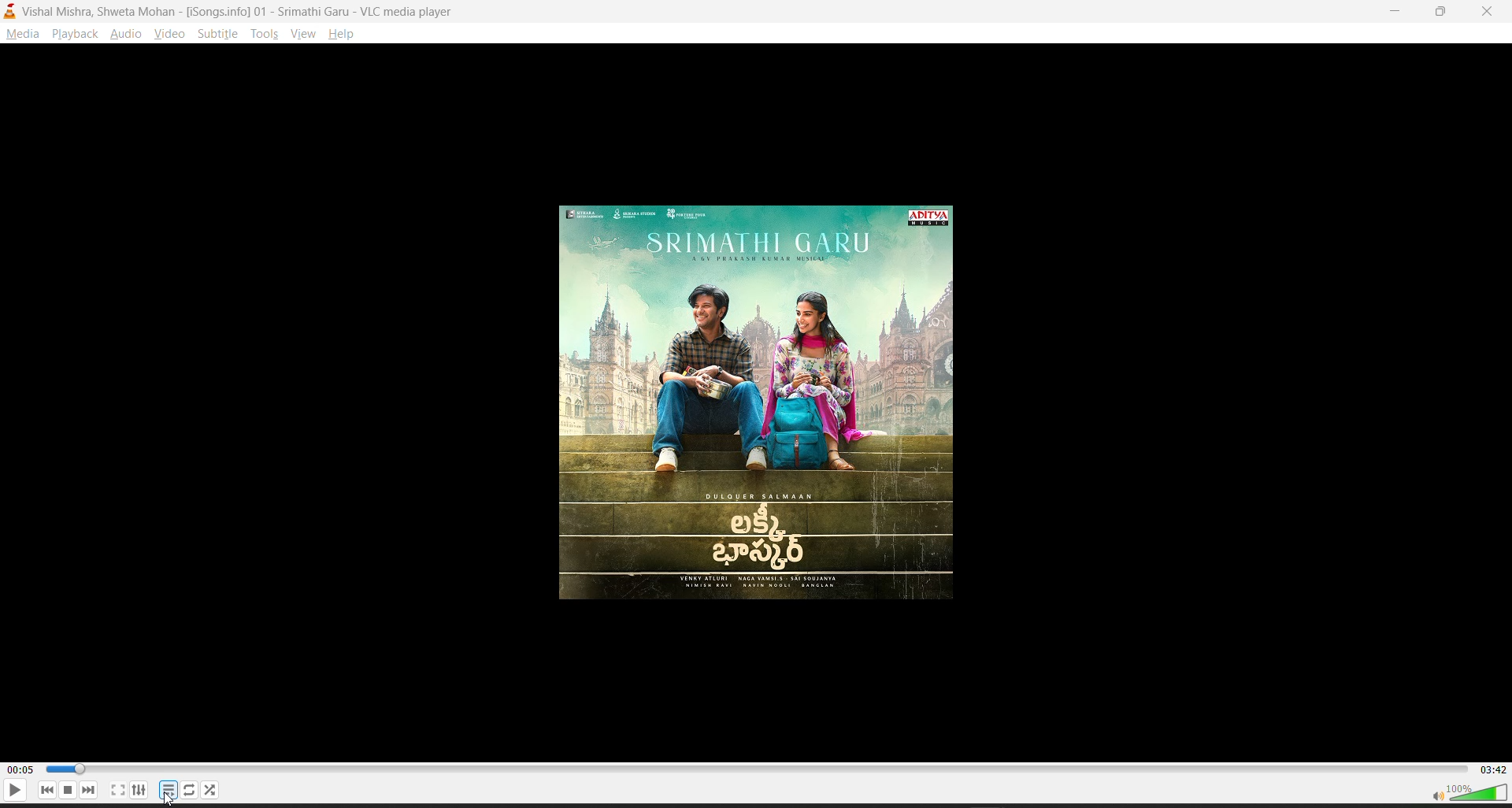  I want to click on view, so click(305, 34).